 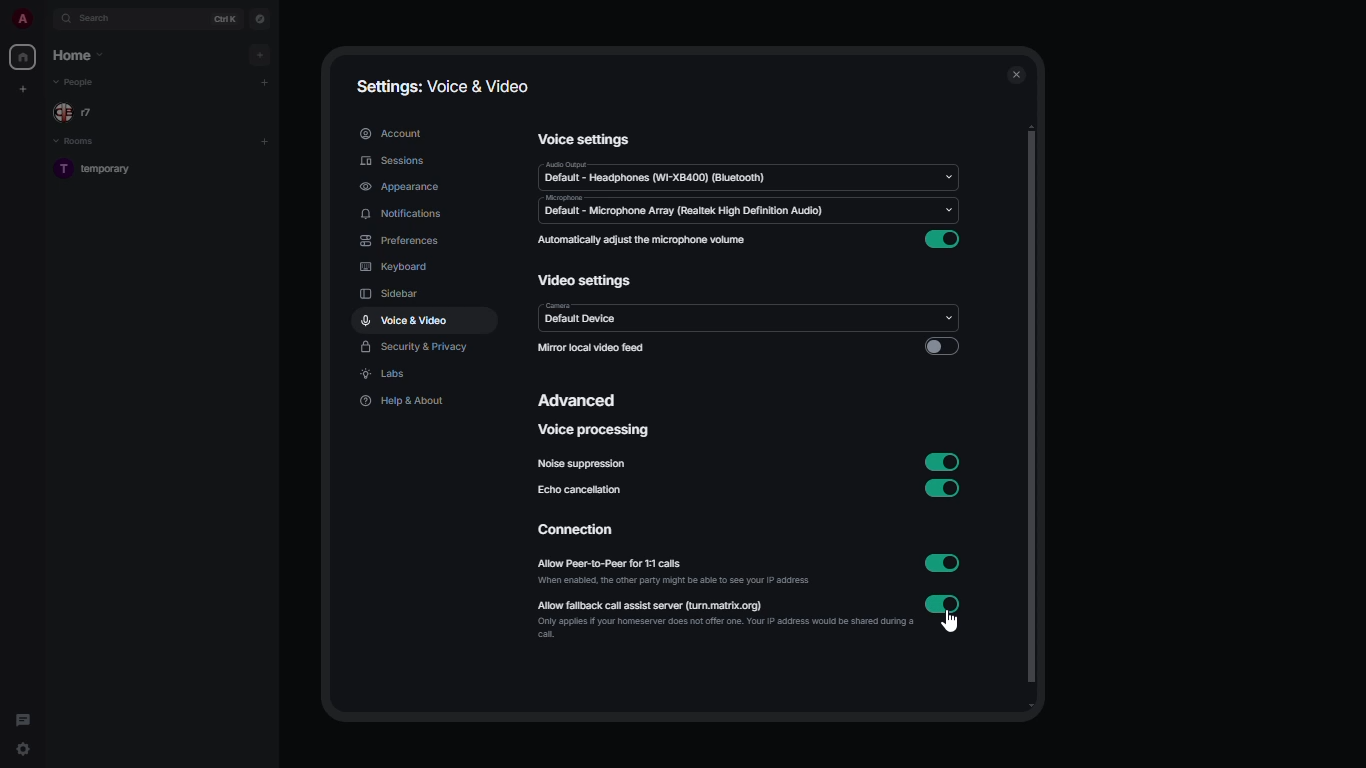 I want to click on disabled, so click(x=941, y=345).